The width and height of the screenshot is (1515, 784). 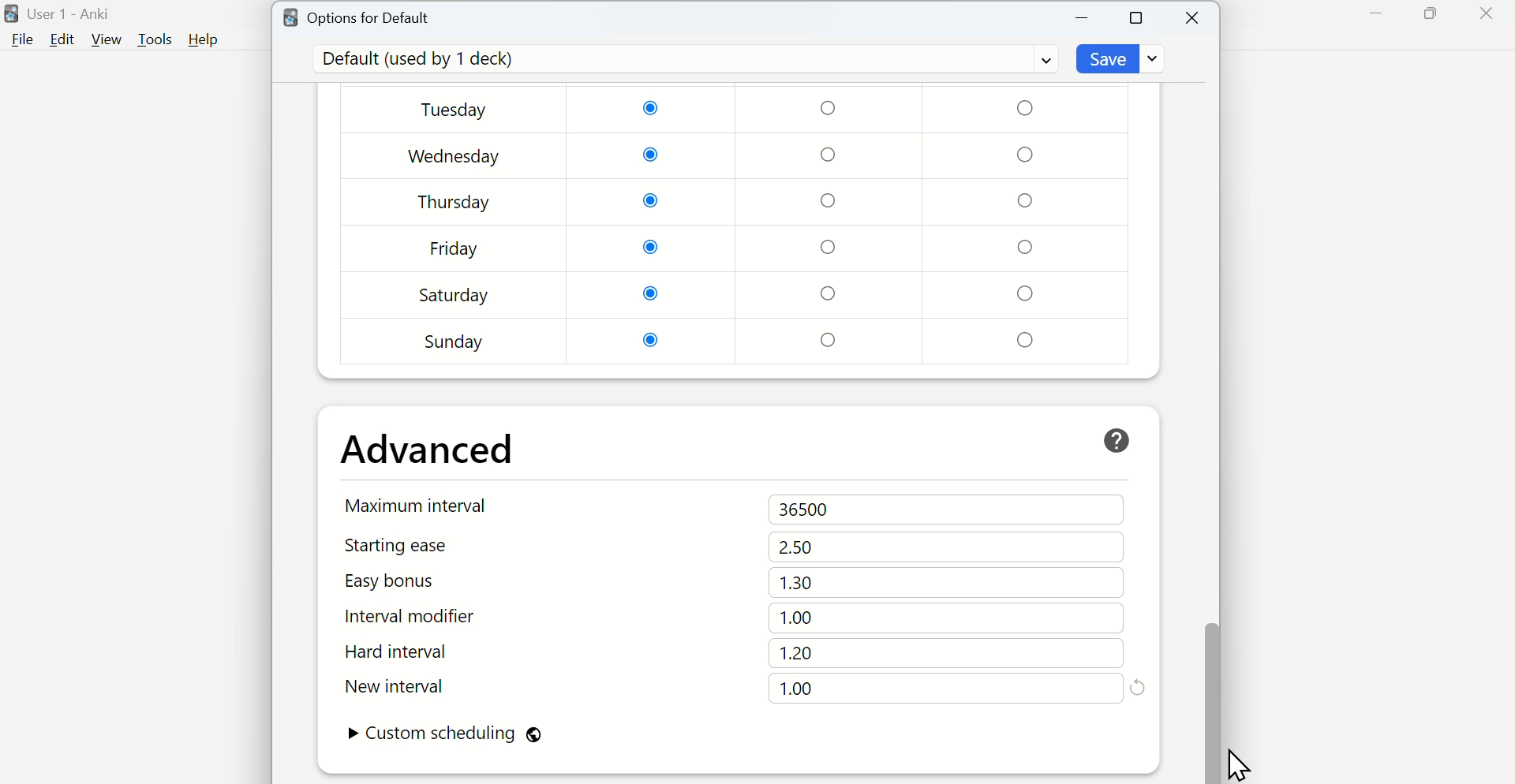 I want to click on 1.00, so click(x=796, y=689).